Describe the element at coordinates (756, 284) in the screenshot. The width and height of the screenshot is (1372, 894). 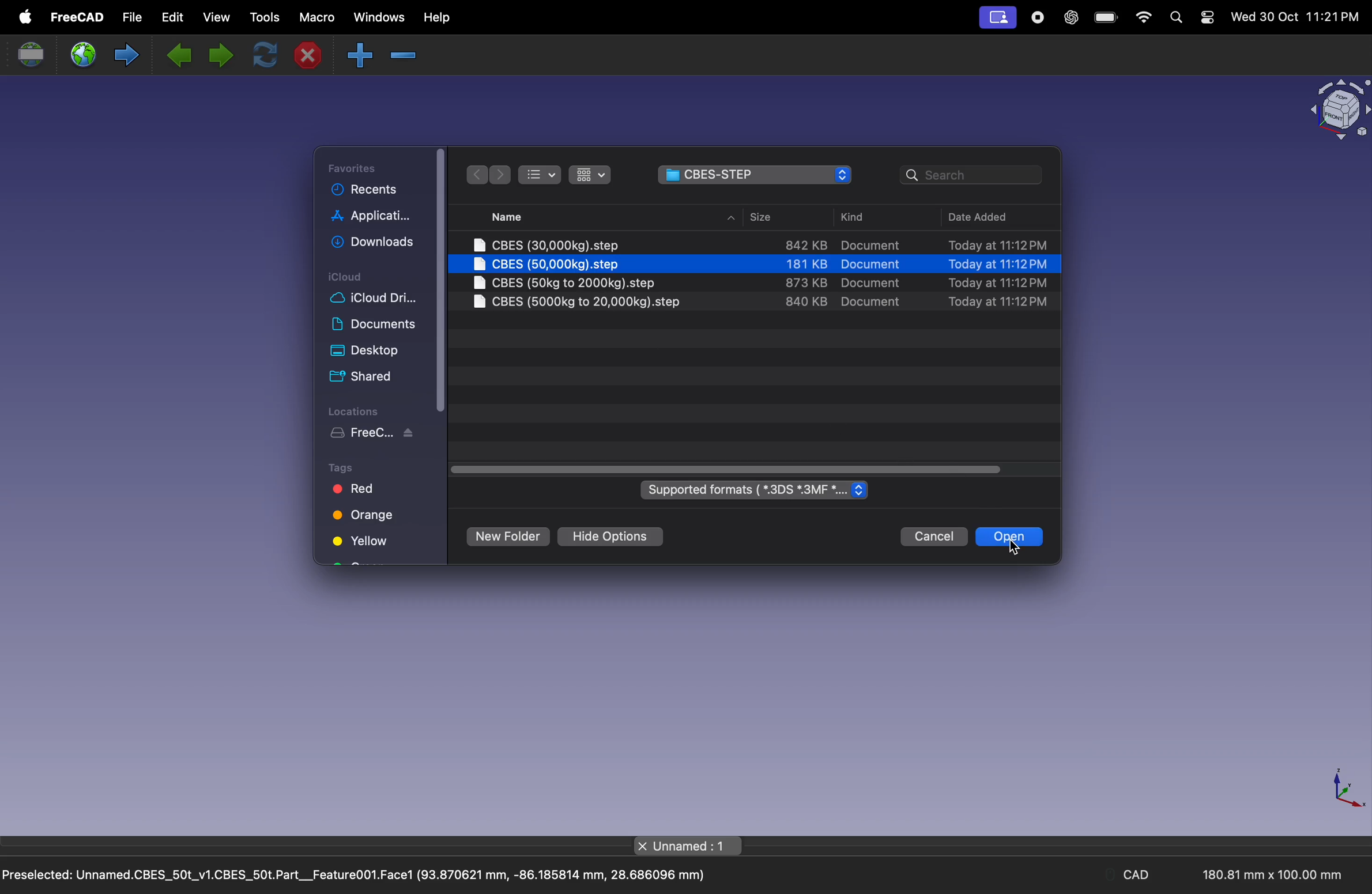
I see `step file 3` at that location.